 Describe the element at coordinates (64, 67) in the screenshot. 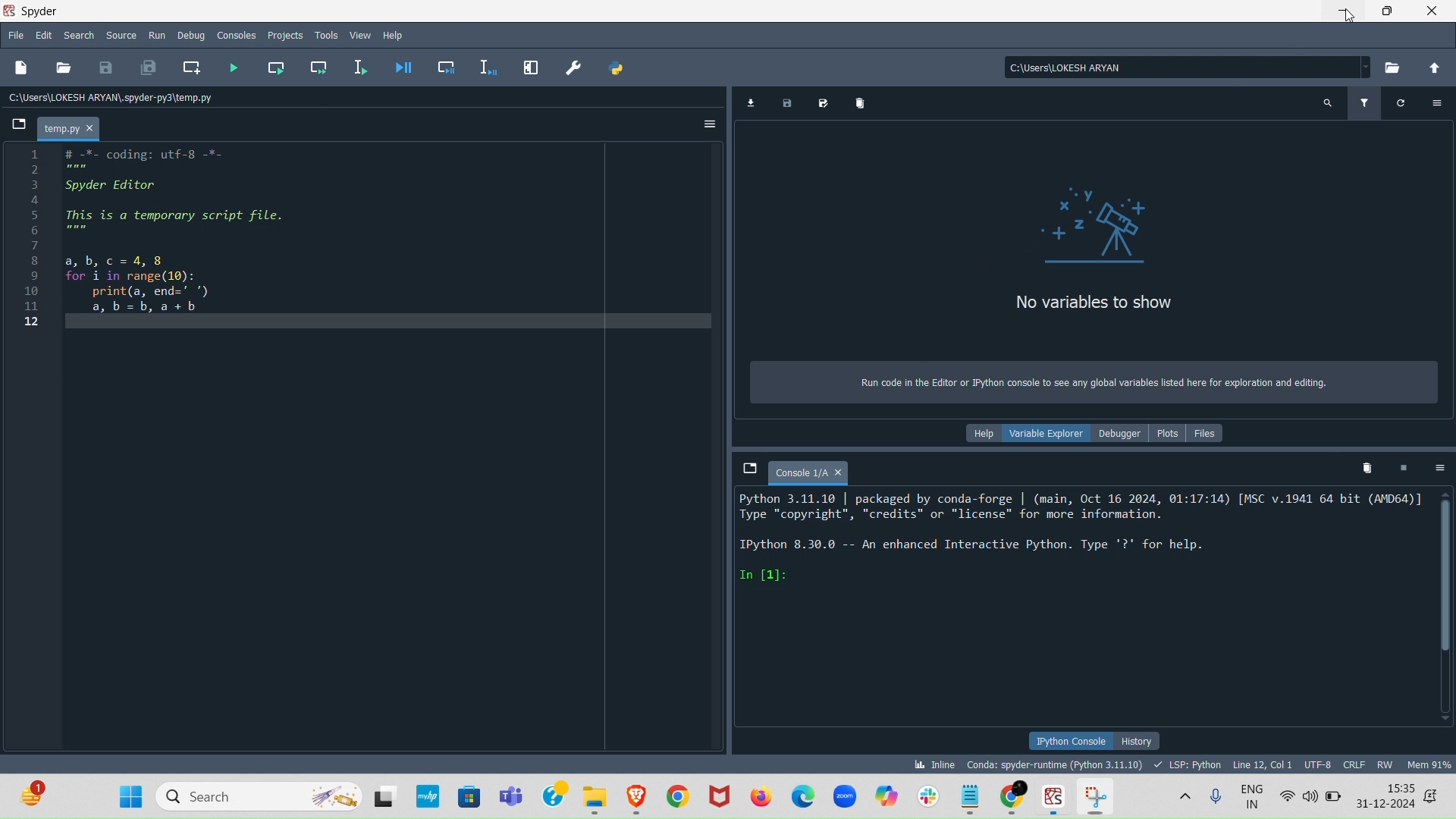

I see `Open file (Ctrl + O)` at that location.